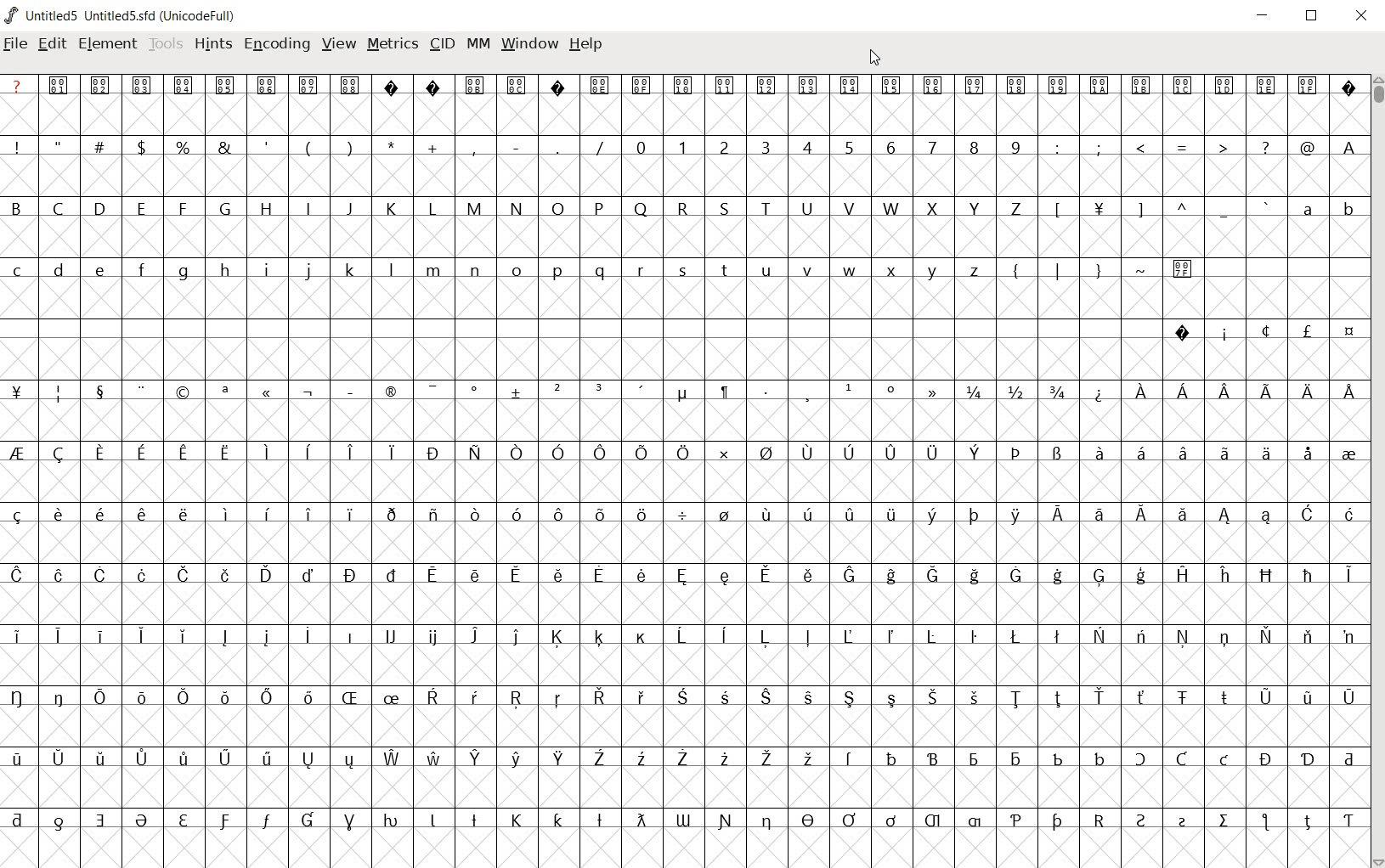  Describe the element at coordinates (140, 208) in the screenshot. I see `E` at that location.